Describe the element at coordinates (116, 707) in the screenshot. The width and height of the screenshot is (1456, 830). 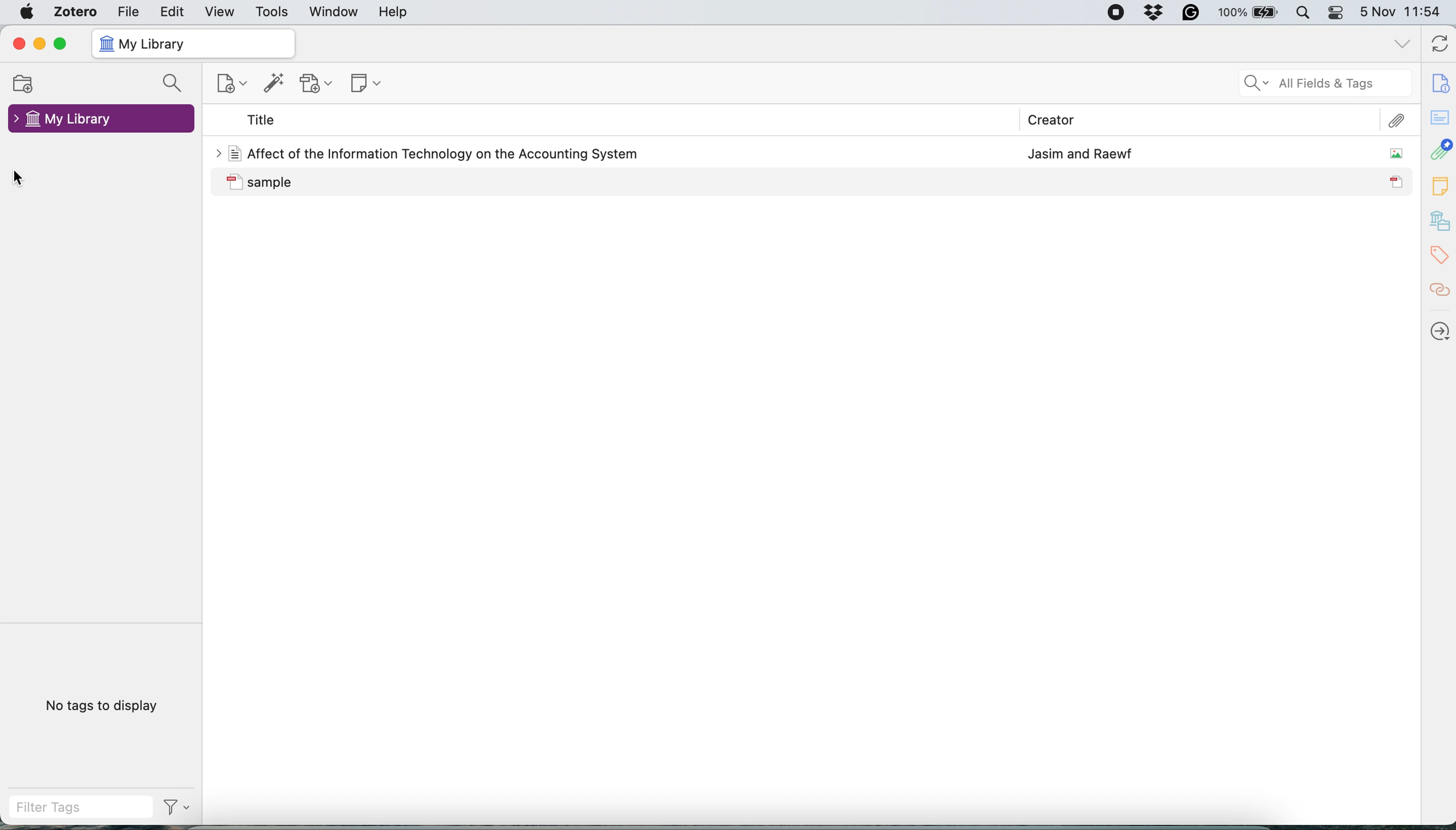
I see `no tags to display` at that location.